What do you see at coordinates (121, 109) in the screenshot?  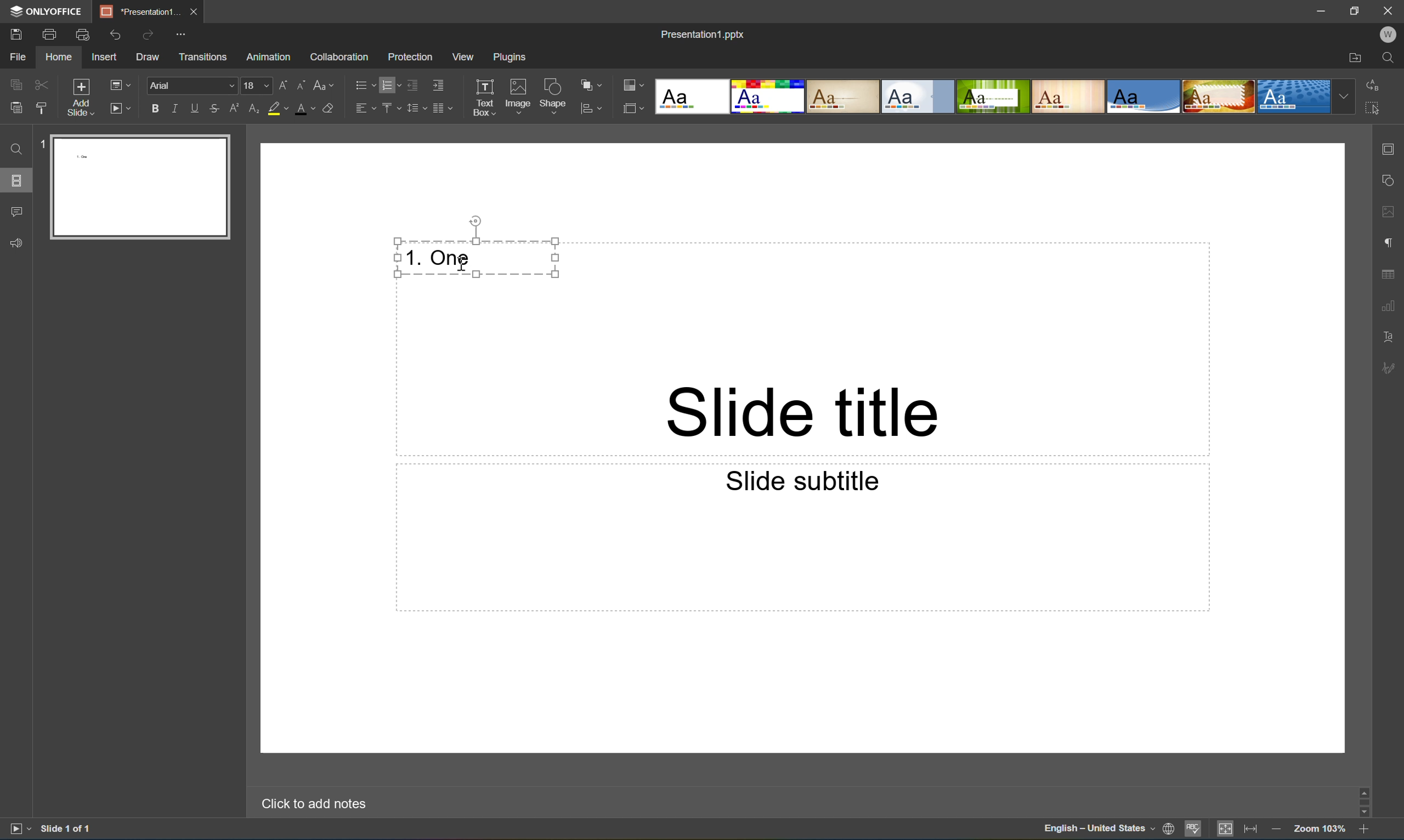 I see `Slide show` at bounding box center [121, 109].